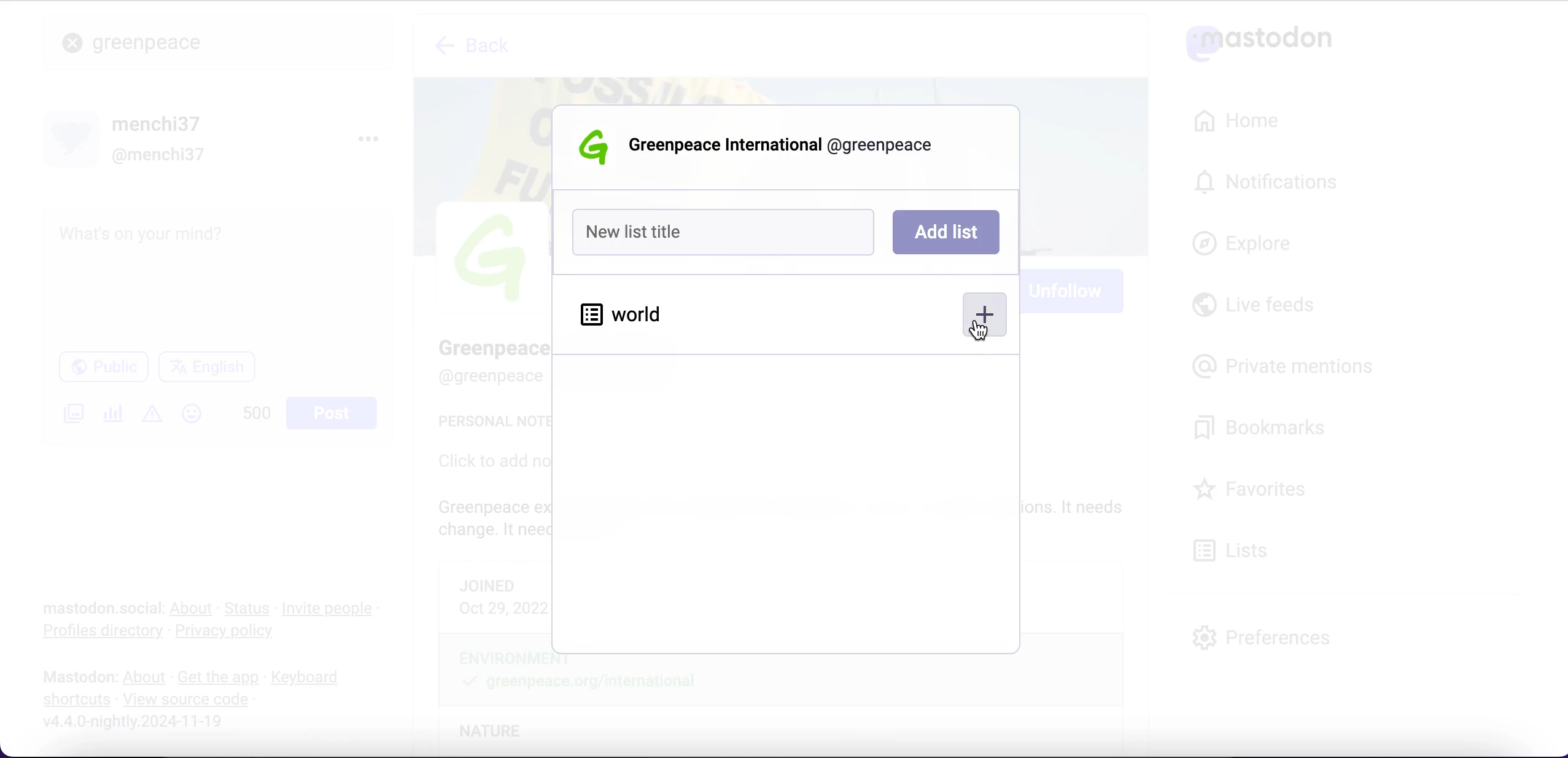 The image size is (1568, 758). I want to click on about, so click(194, 608).